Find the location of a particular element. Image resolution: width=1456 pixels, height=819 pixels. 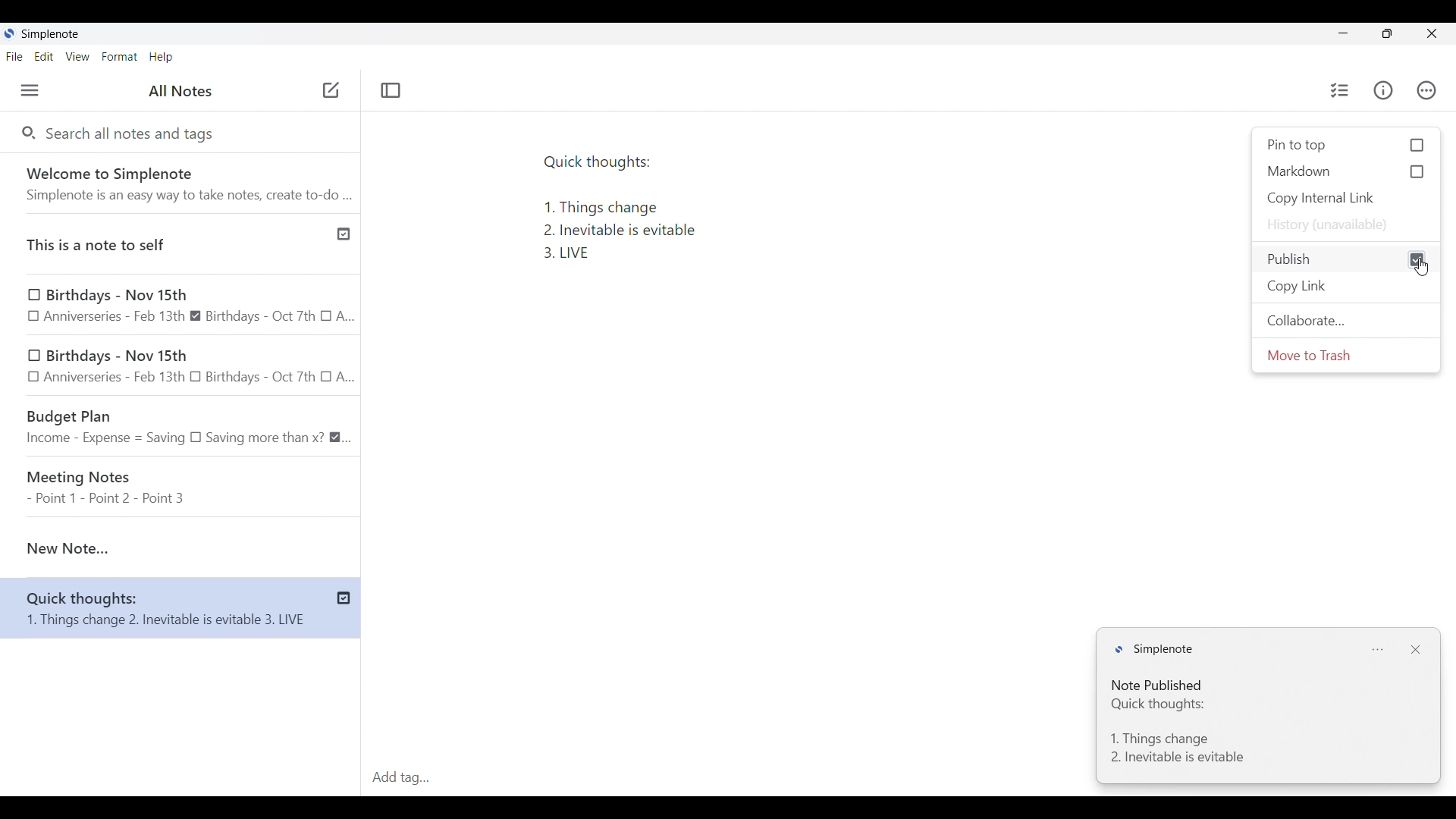

Published note indicated by check icon is located at coordinates (181, 247).